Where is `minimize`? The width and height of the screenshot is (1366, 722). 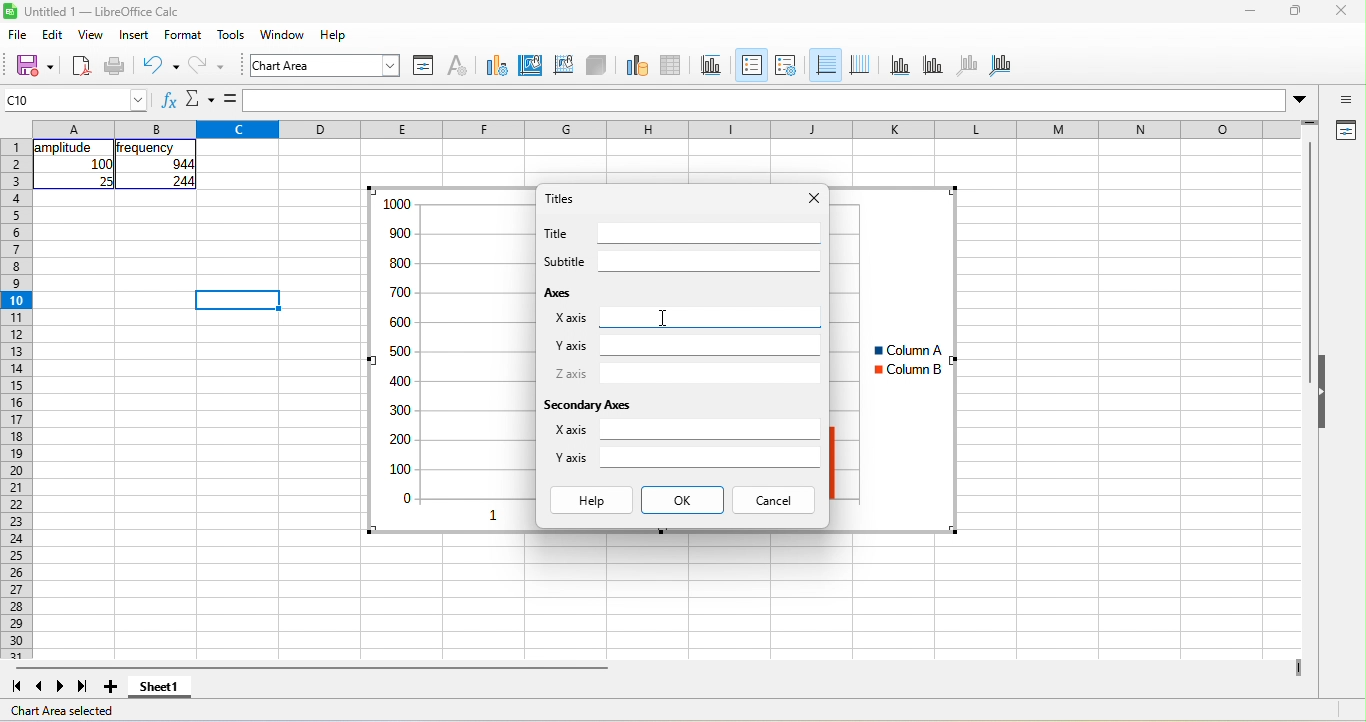 minimize is located at coordinates (1250, 10).